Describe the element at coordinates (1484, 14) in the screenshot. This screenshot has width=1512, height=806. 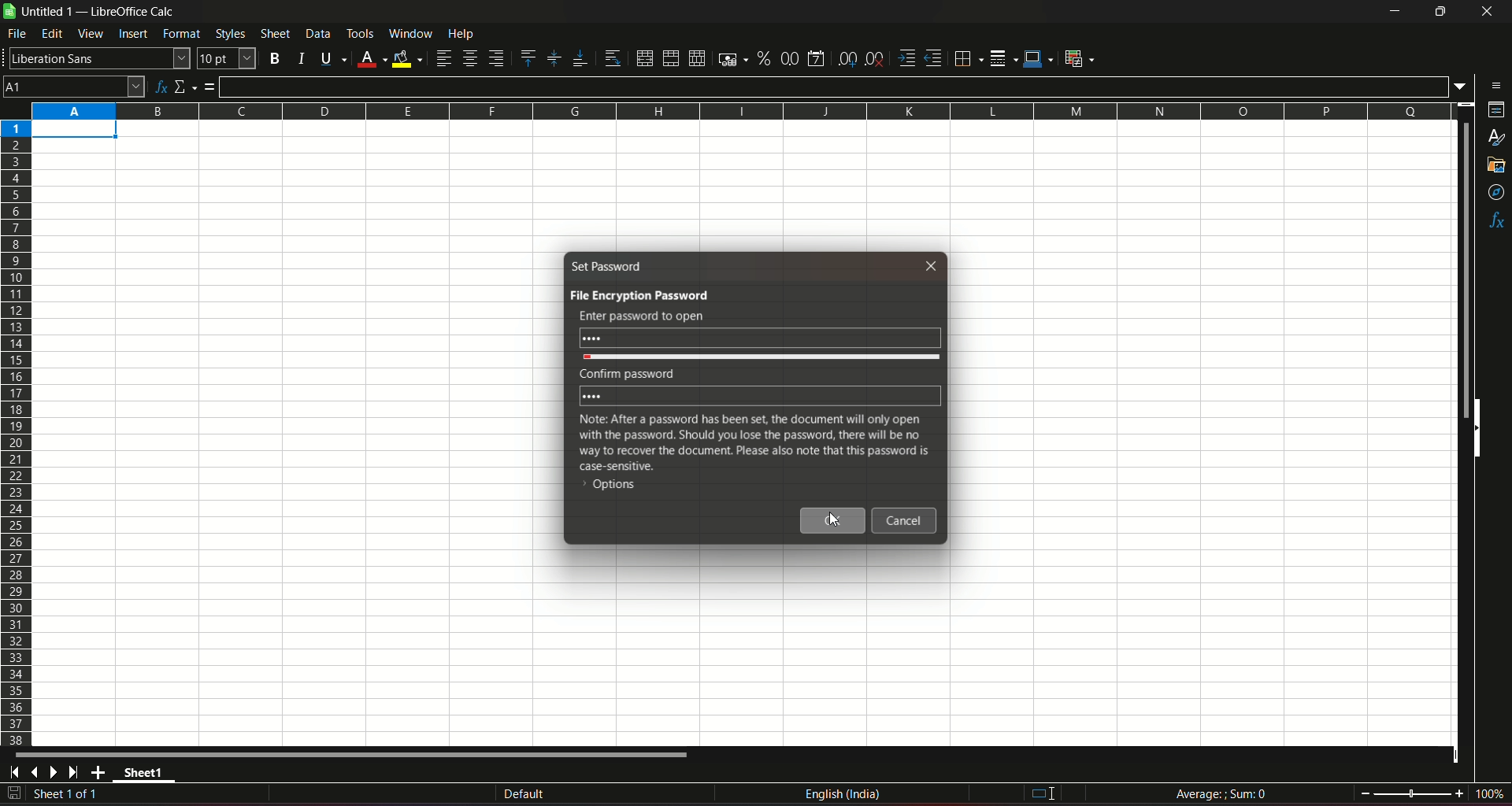
I see `close` at that location.